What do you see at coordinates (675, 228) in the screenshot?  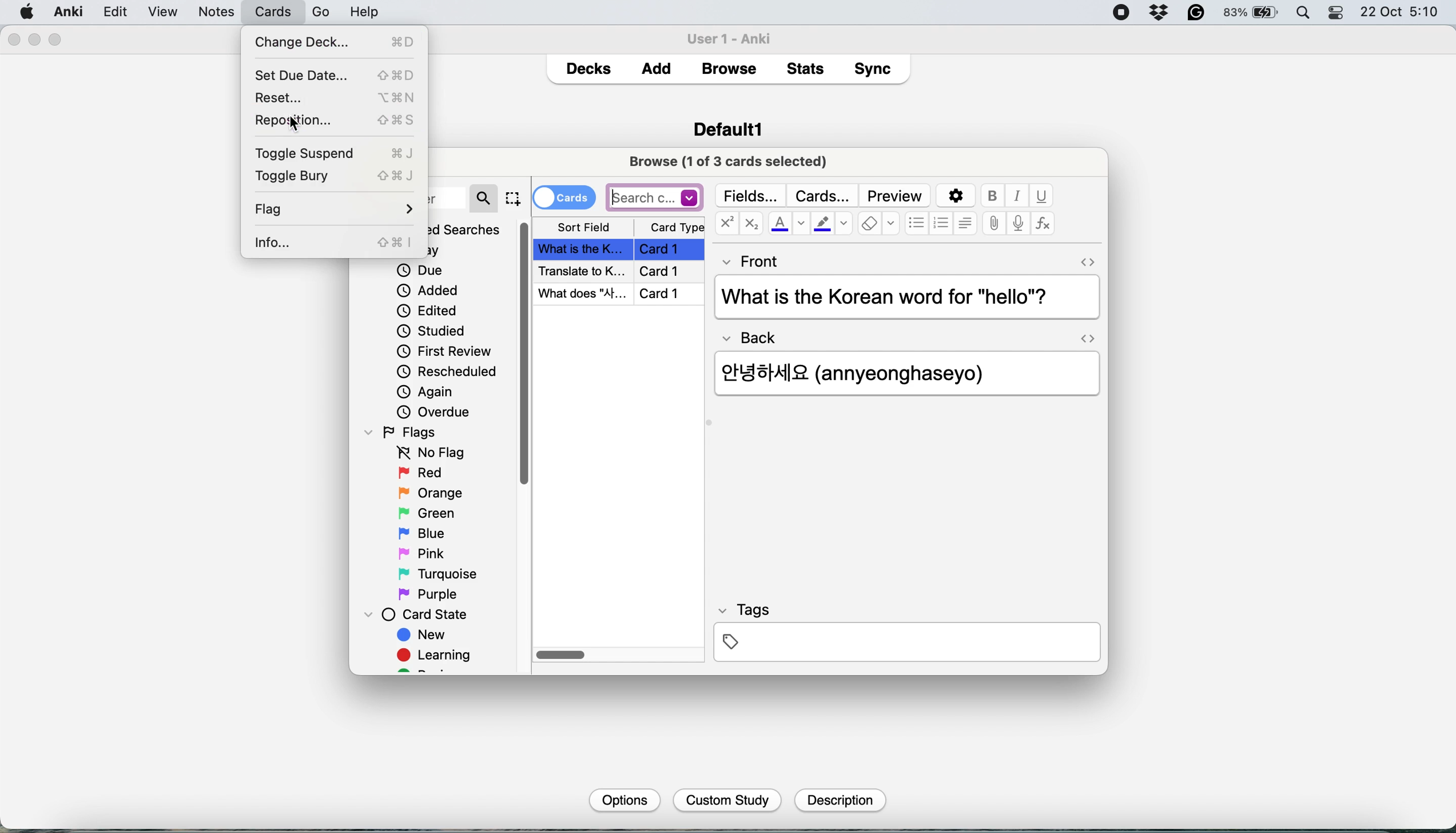 I see `card type` at bounding box center [675, 228].